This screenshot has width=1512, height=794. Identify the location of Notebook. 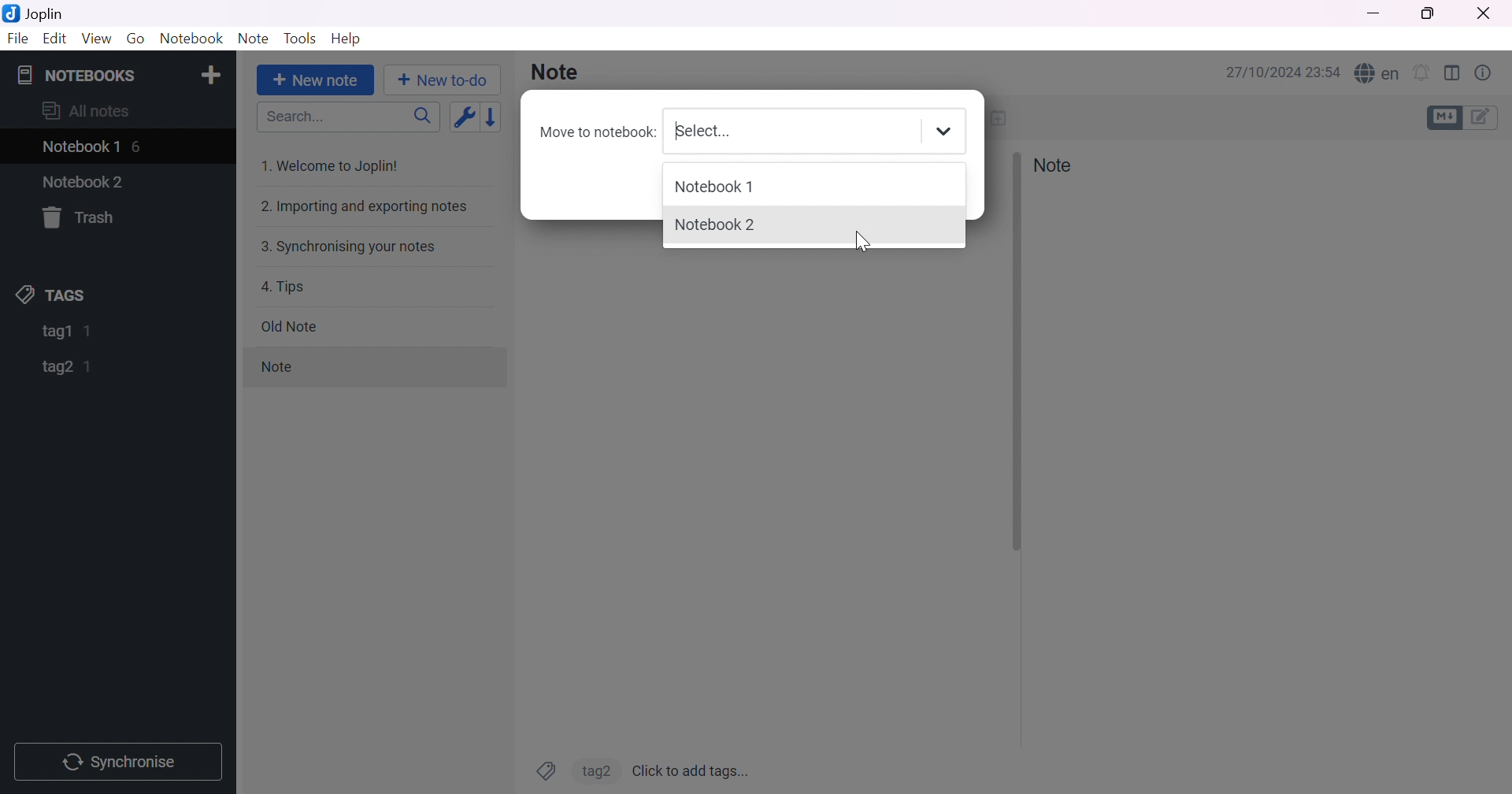
(188, 39).